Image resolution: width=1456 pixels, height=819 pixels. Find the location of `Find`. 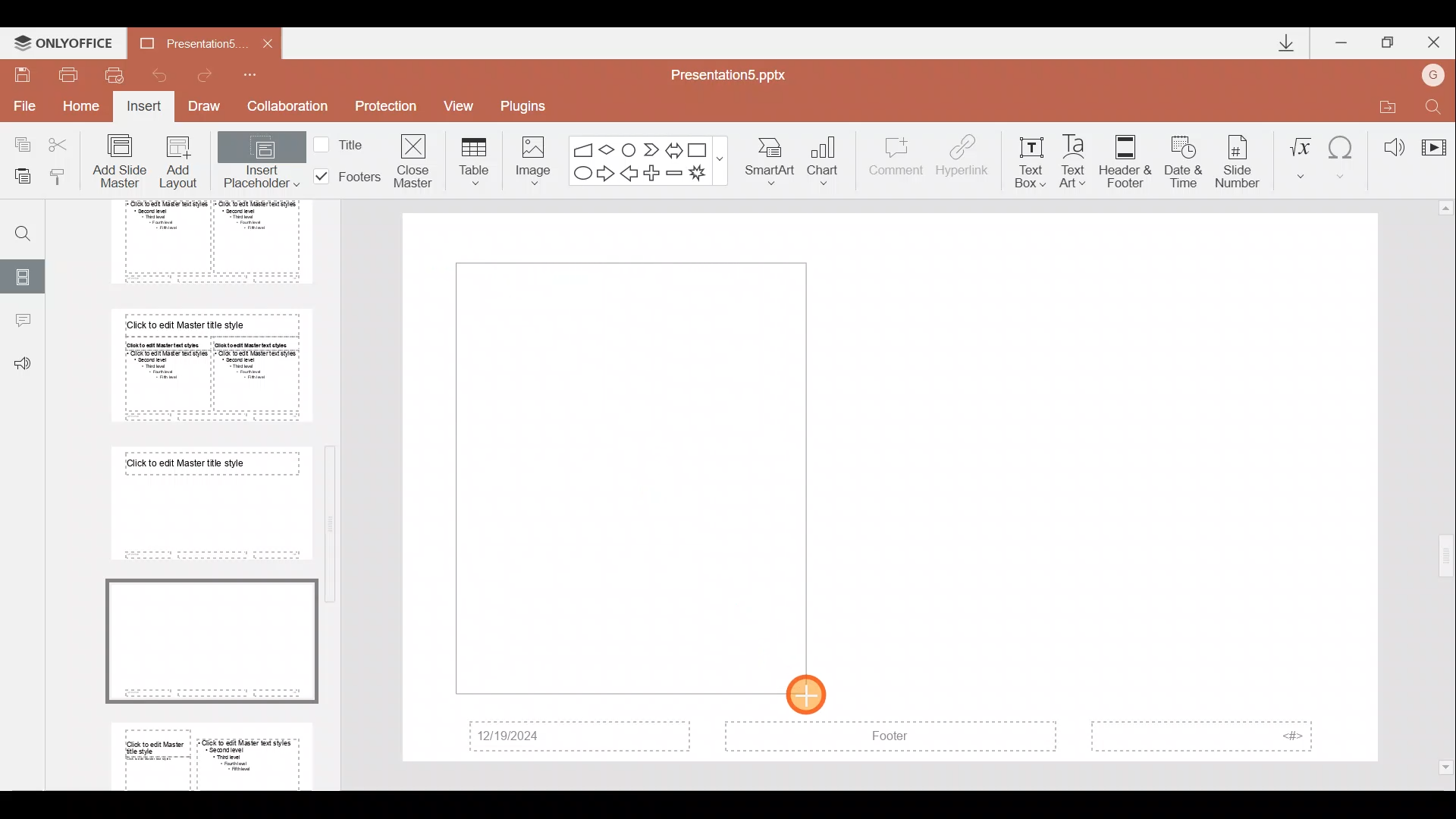

Find is located at coordinates (17, 227).